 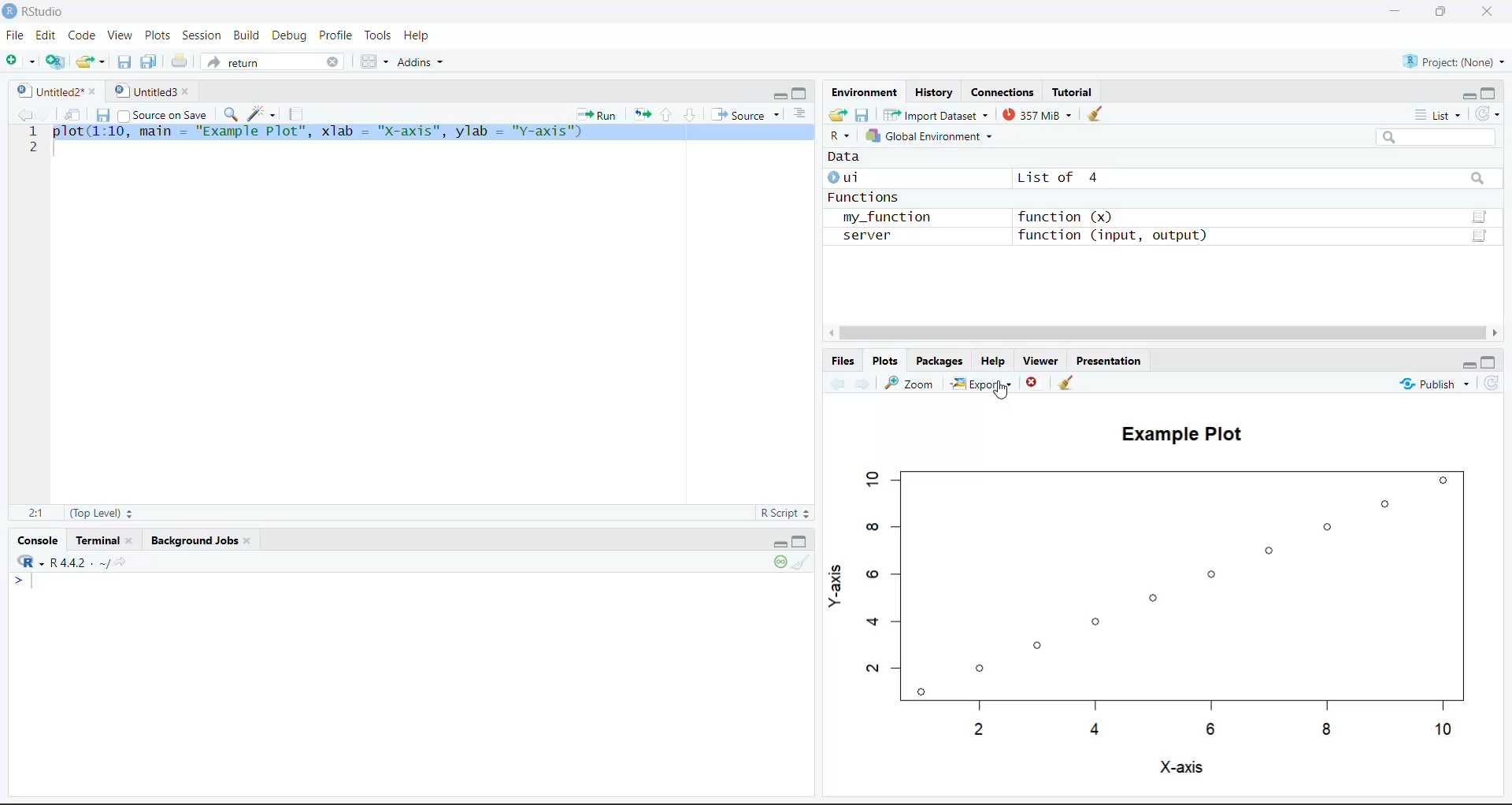 What do you see at coordinates (89, 62) in the screenshot?
I see `Open an existing file (Ctrl + O)` at bounding box center [89, 62].